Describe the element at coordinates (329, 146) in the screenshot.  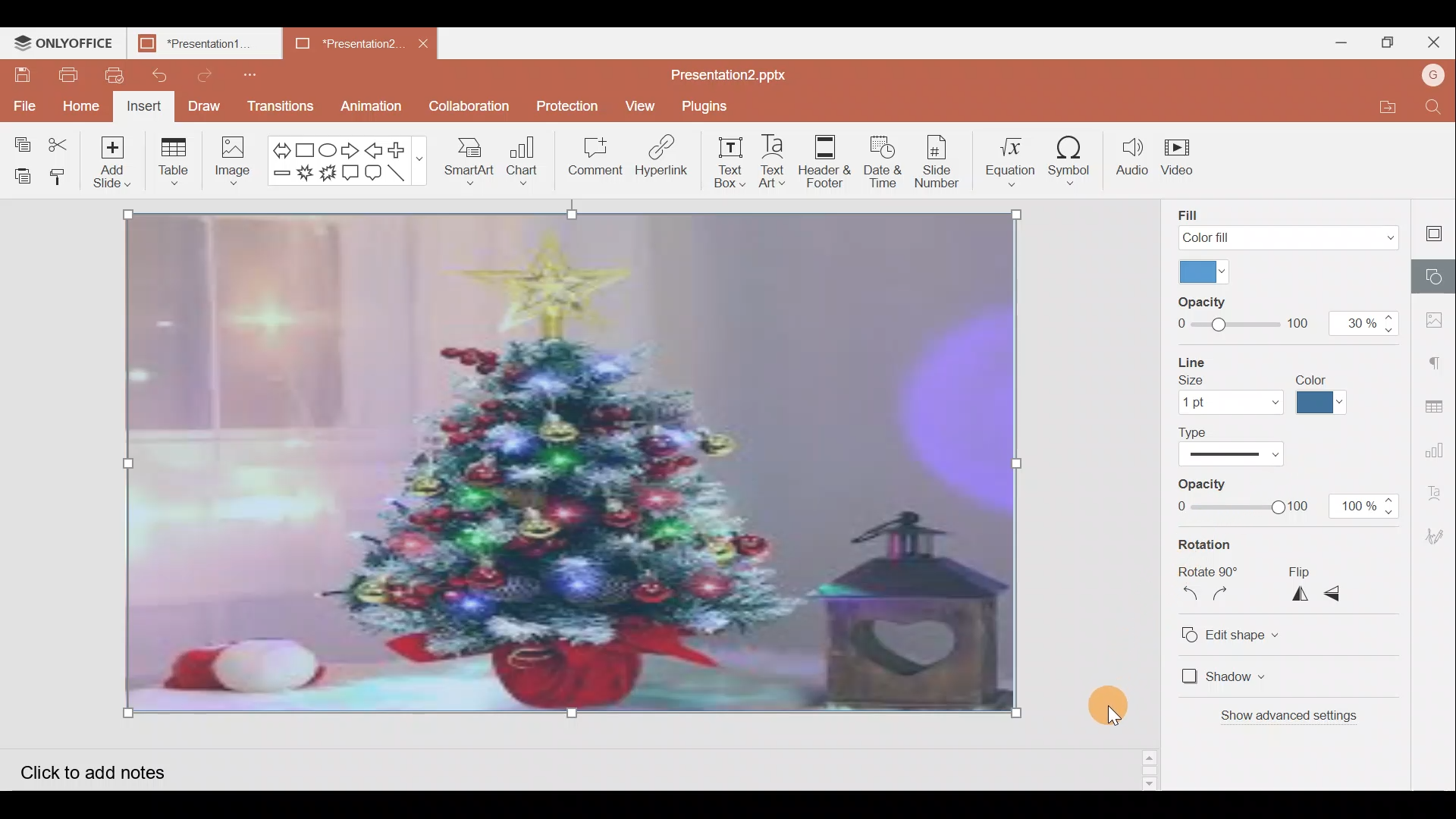
I see `Ellipse` at that location.